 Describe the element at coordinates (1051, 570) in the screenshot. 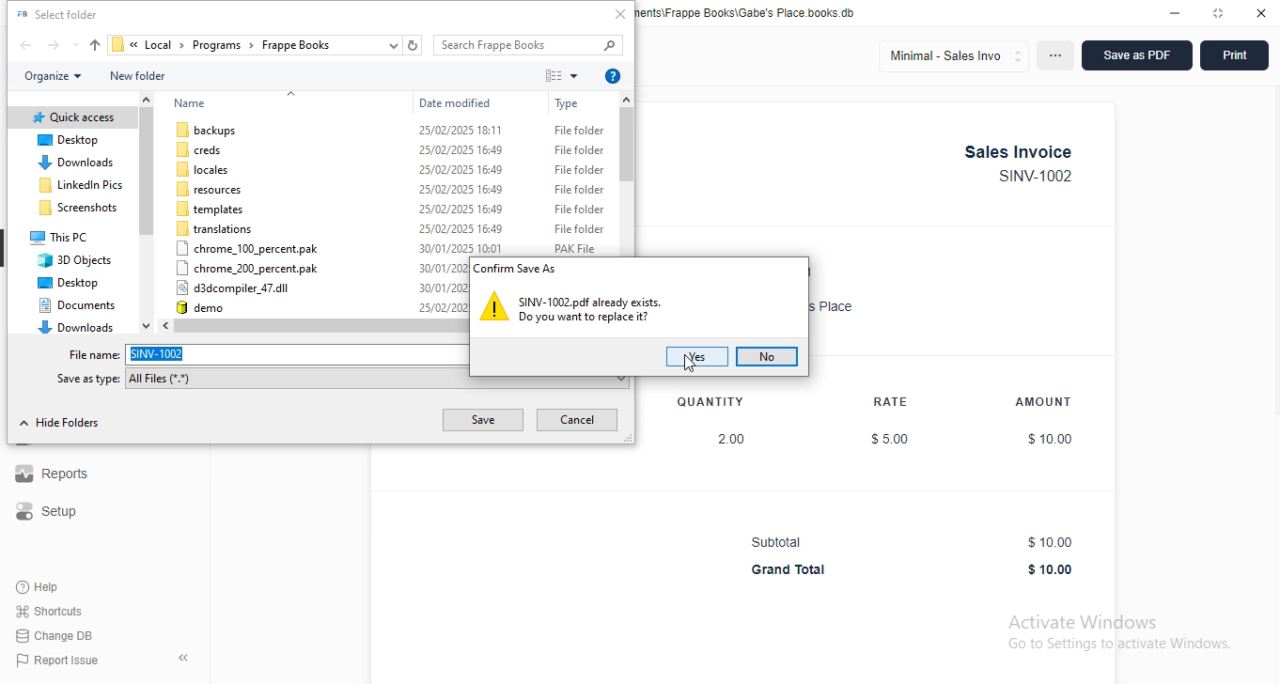

I see `$10.00` at that location.